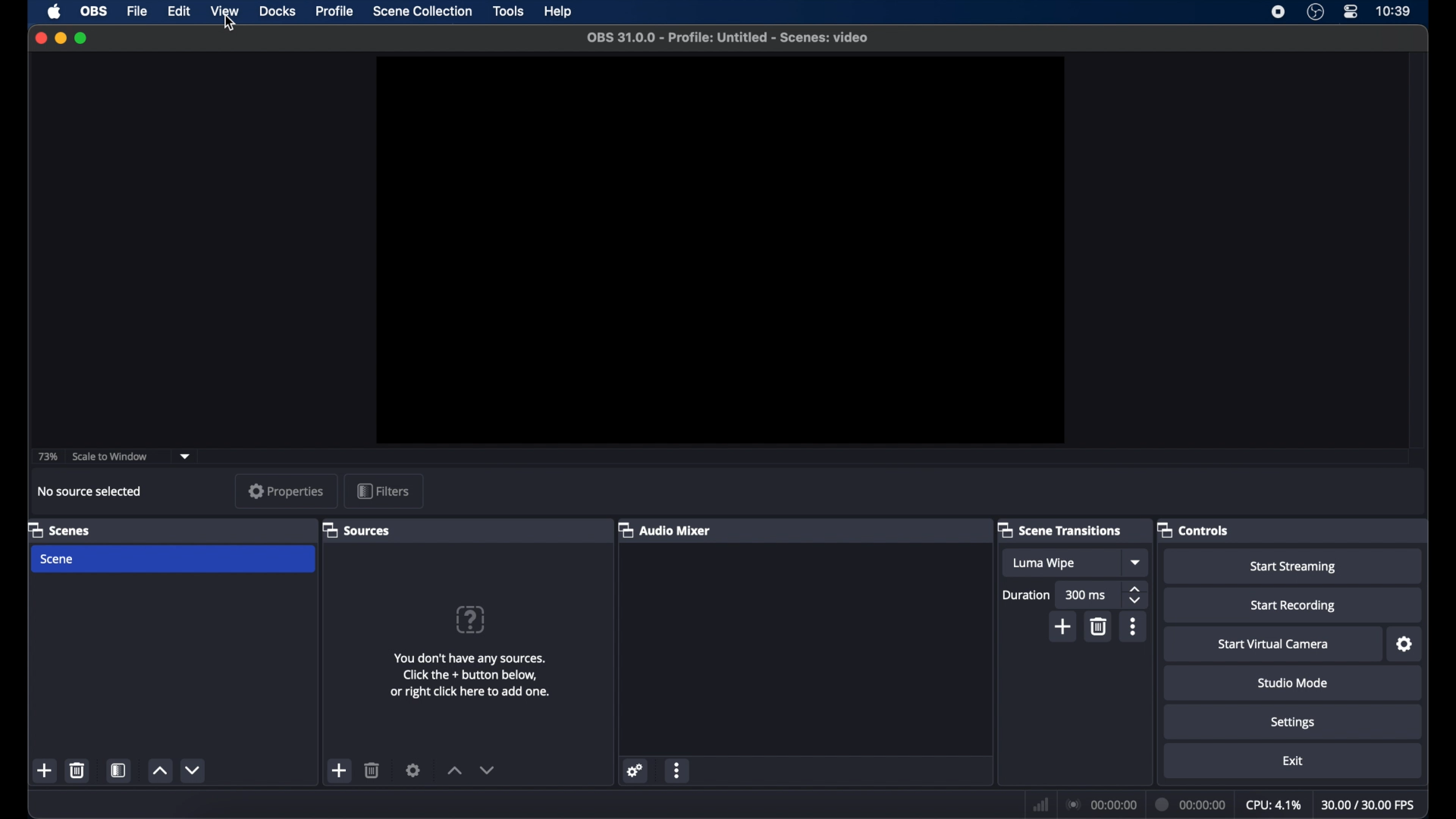 Image resolution: width=1456 pixels, height=819 pixels. What do you see at coordinates (1193, 529) in the screenshot?
I see `controls` at bounding box center [1193, 529].